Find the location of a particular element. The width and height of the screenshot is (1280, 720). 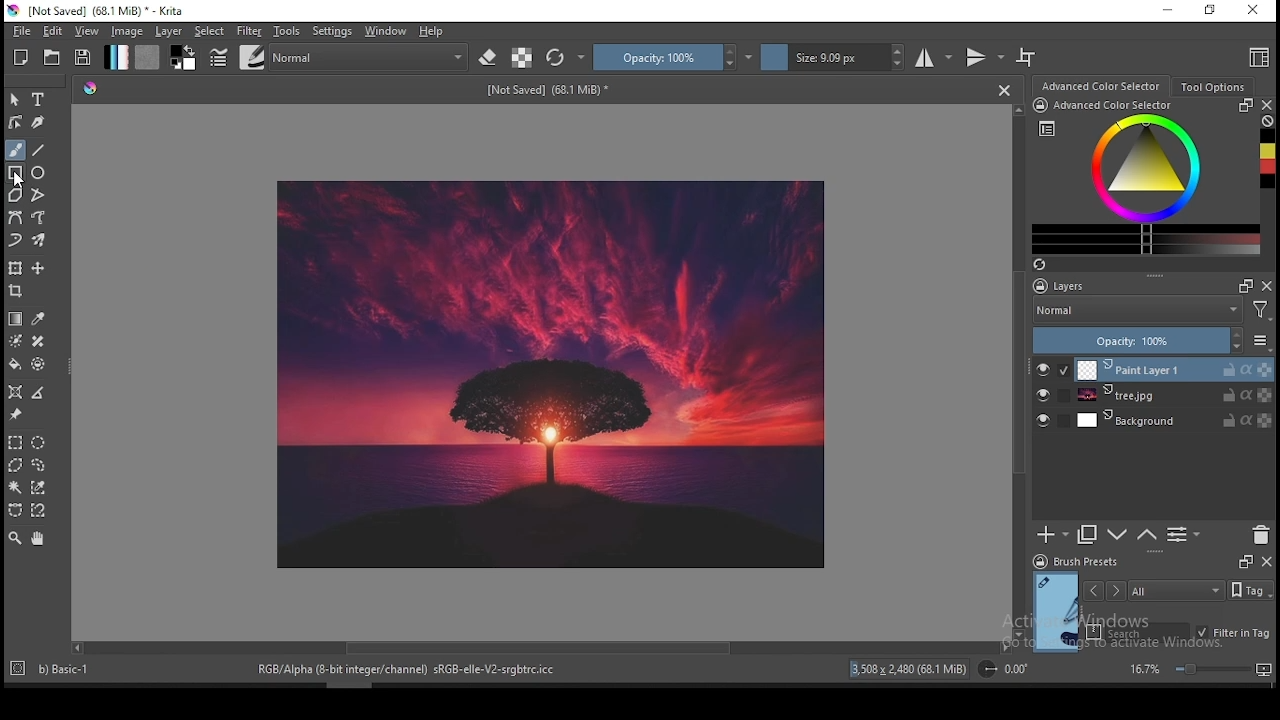

multibrush tool is located at coordinates (40, 240).